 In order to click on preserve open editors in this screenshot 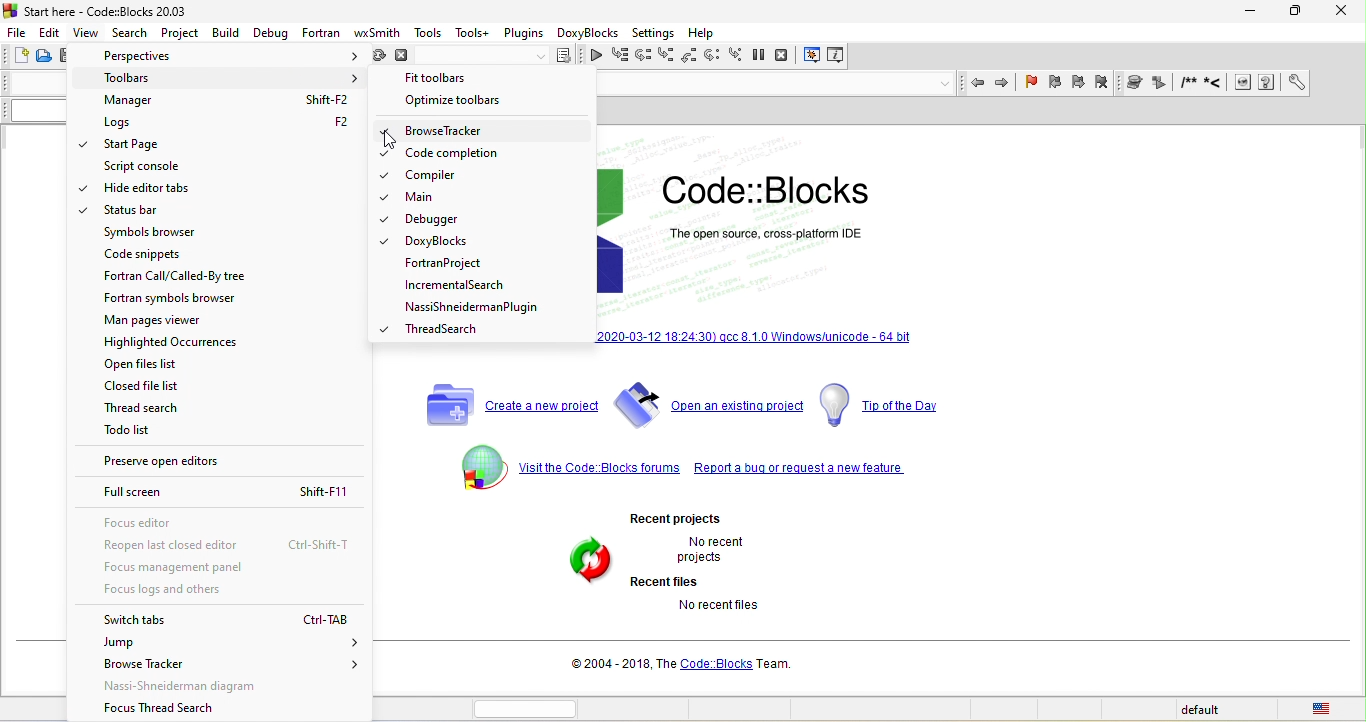, I will do `click(223, 464)`.